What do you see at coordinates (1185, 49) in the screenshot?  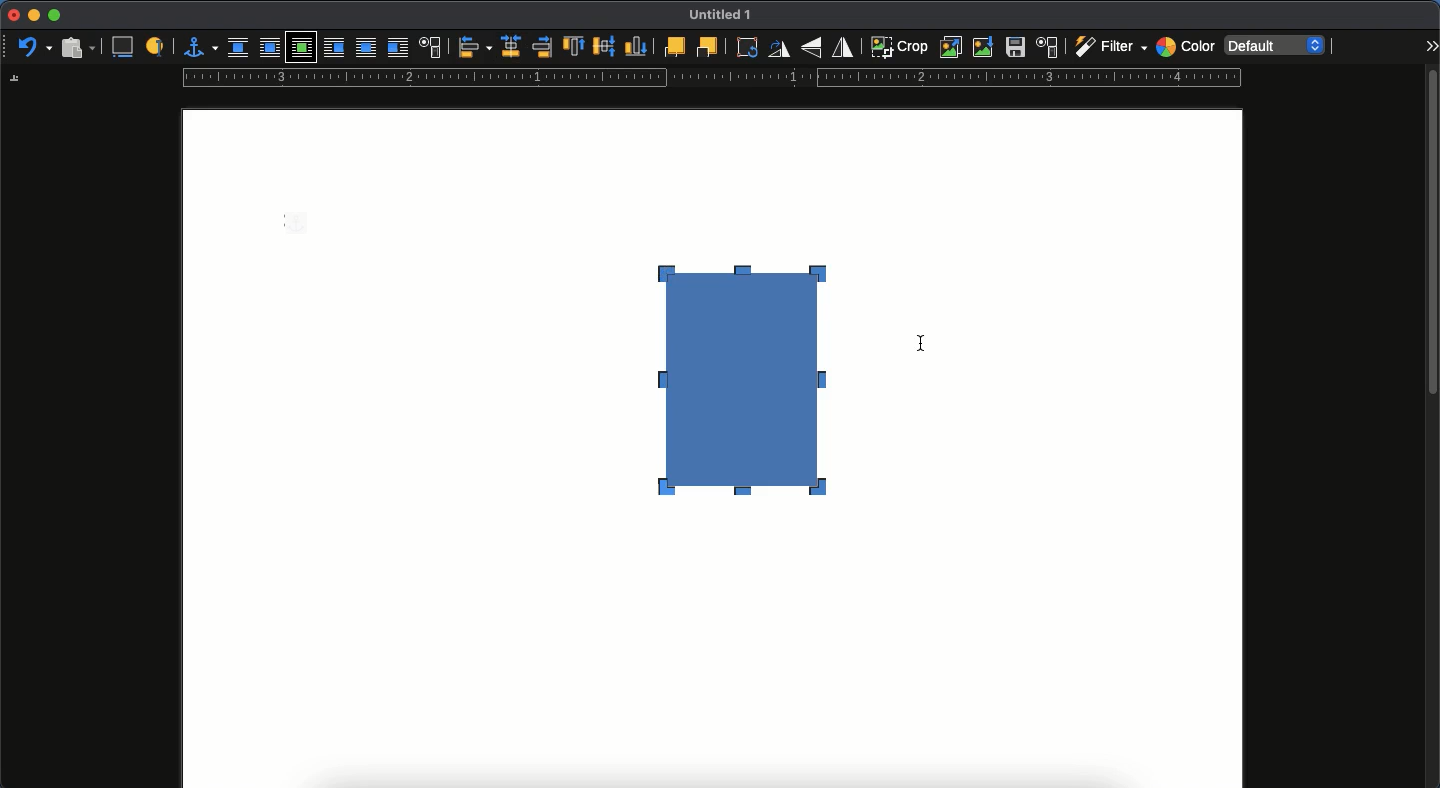 I see `color` at bounding box center [1185, 49].